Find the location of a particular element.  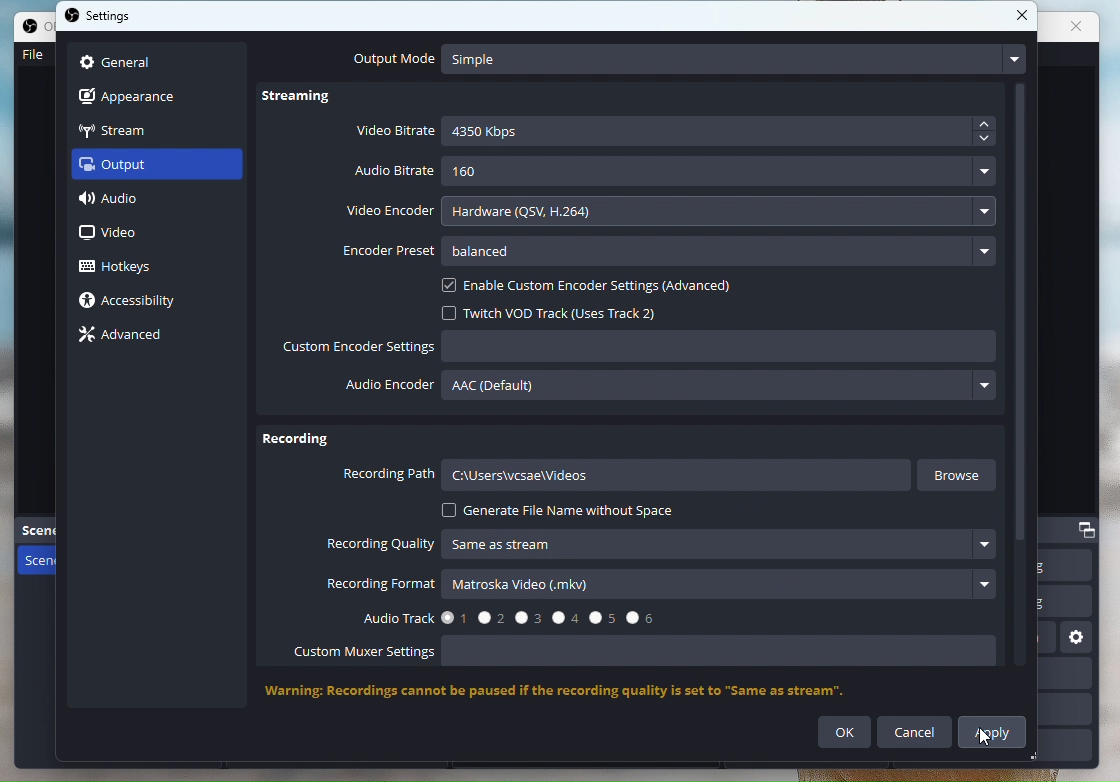

Cancel is located at coordinates (915, 732).